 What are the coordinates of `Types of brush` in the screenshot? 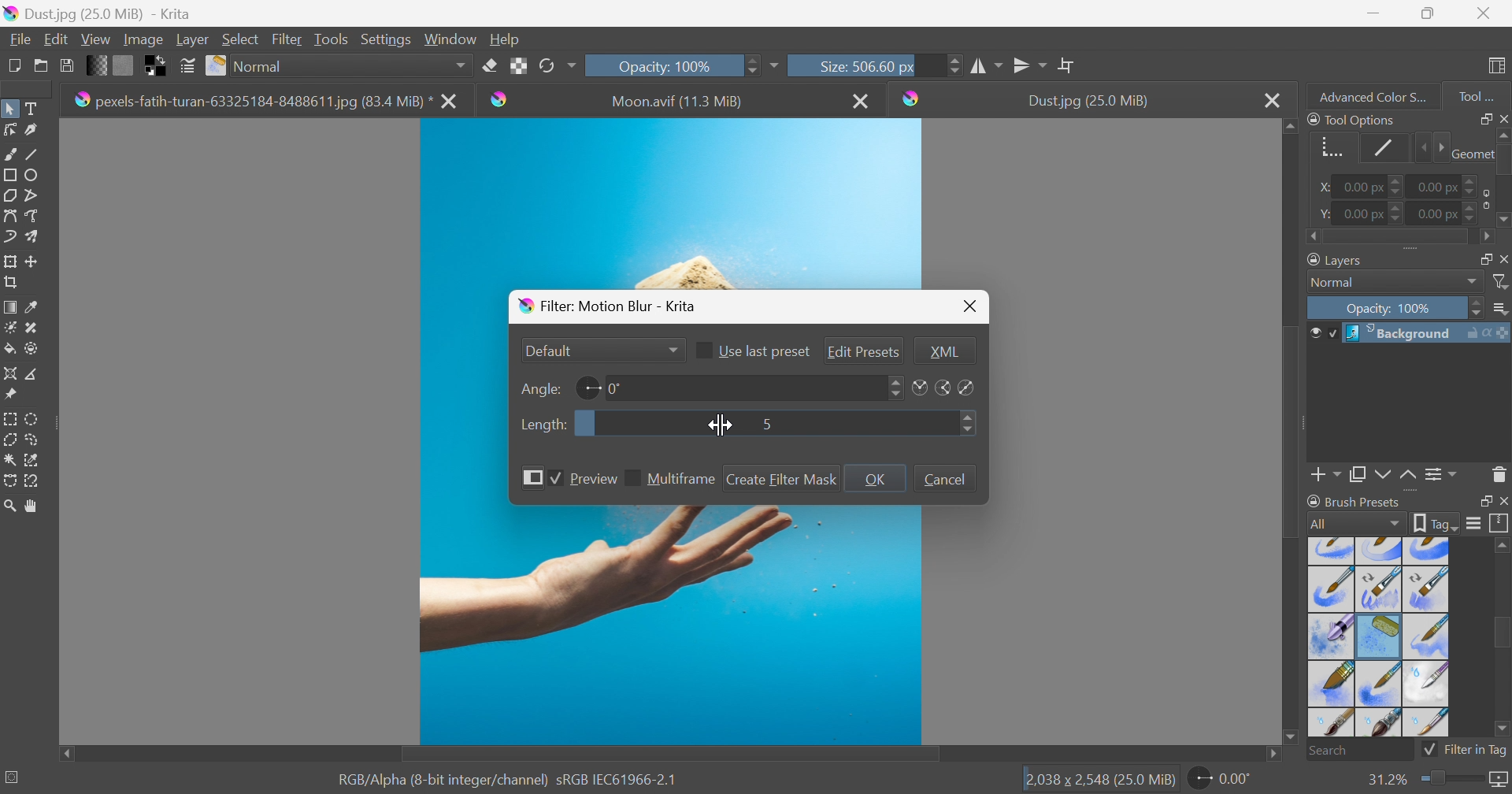 It's located at (1376, 636).